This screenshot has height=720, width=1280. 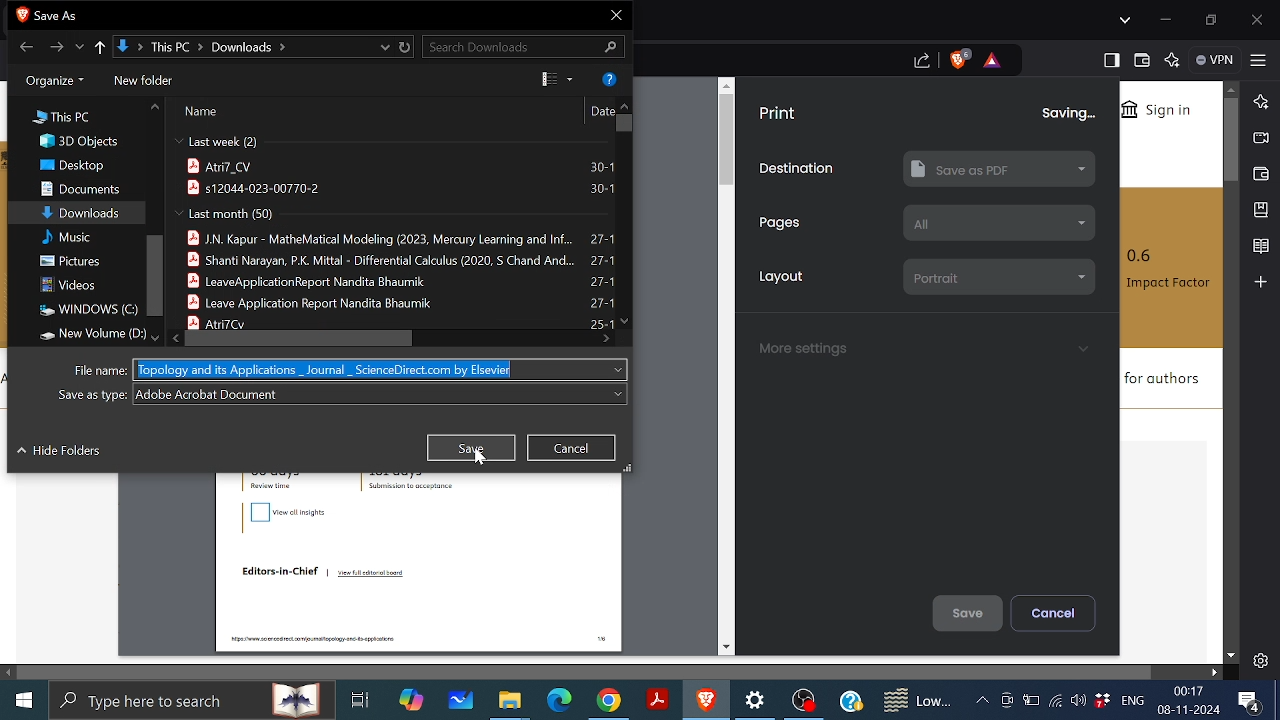 I want to click on Pictures, so click(x=71, y=262).